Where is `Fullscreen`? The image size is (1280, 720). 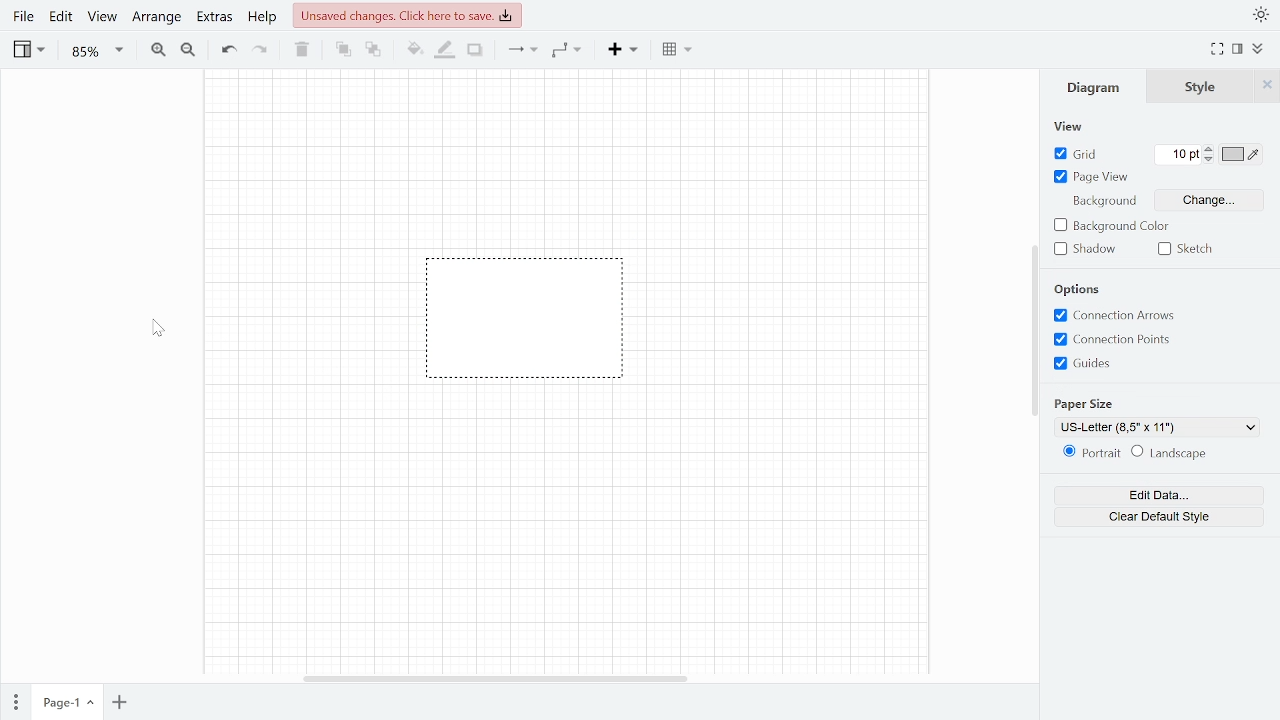 Fullscreen is located at coordinates (1217, 50).